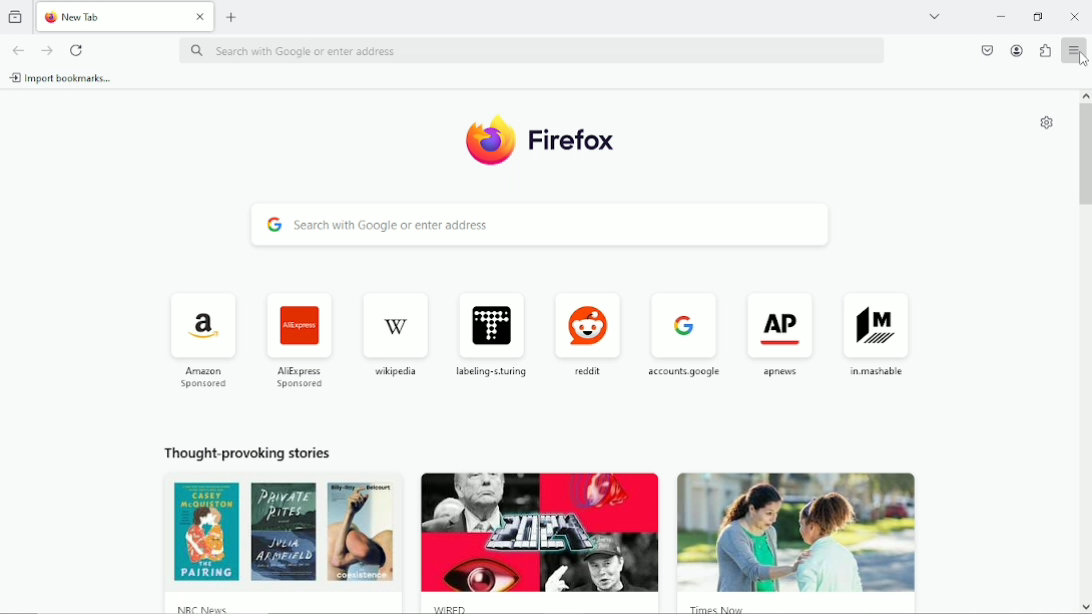 Image resolution: width=1092 pixels, height=614 pixels. What do you see at coordinates (538, 529) in the screenshot?
I see `image` at bounding box center [538, 529].